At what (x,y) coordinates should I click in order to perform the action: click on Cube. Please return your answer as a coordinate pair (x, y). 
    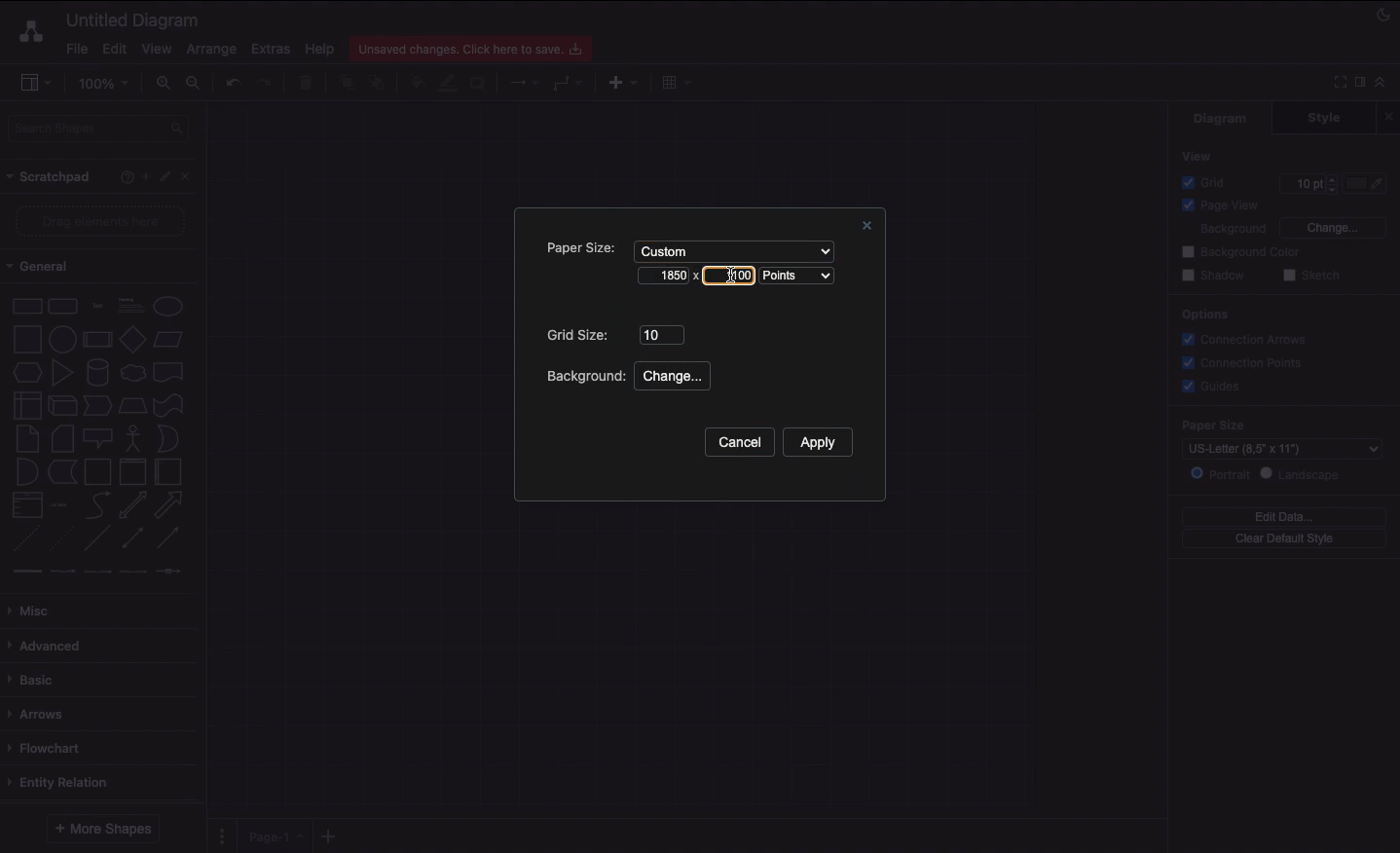
    Looking at the image, I should click on (62, 406).